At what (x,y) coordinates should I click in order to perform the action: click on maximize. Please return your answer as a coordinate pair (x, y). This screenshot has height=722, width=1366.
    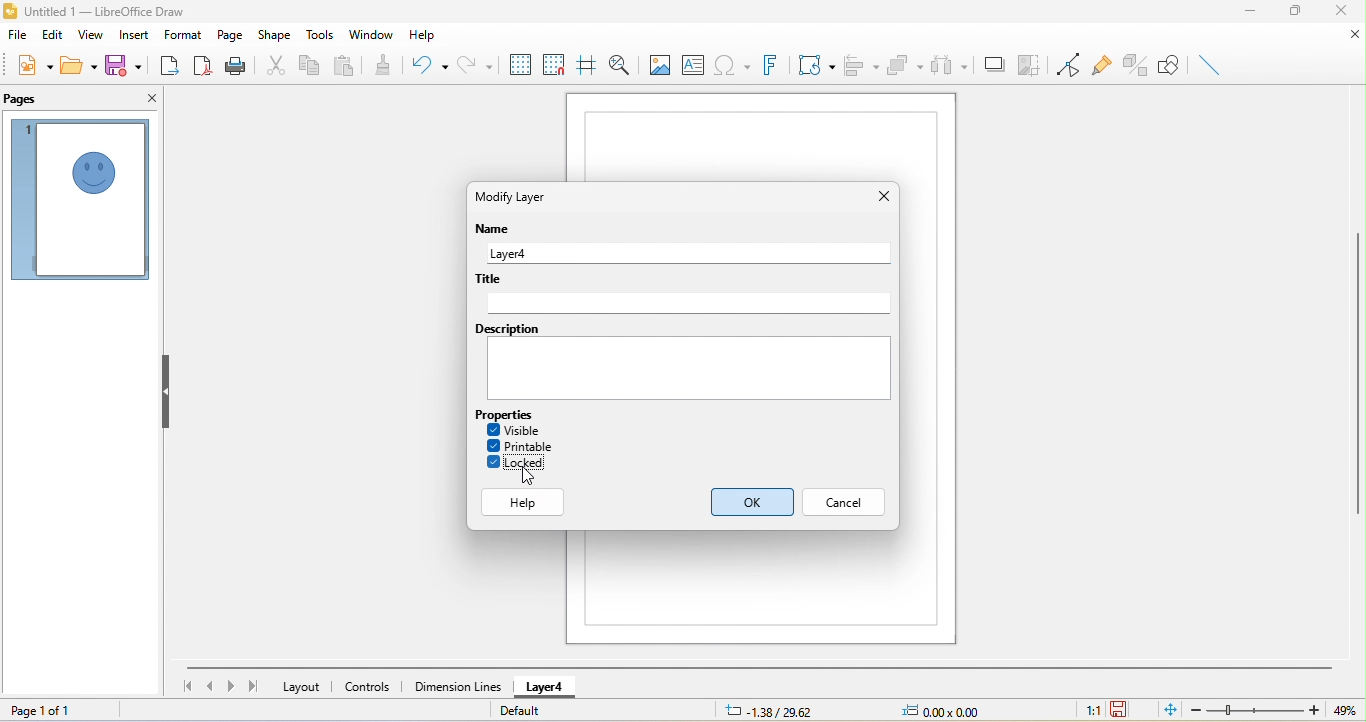
    Looking at the image, I should click on (1294, 14).